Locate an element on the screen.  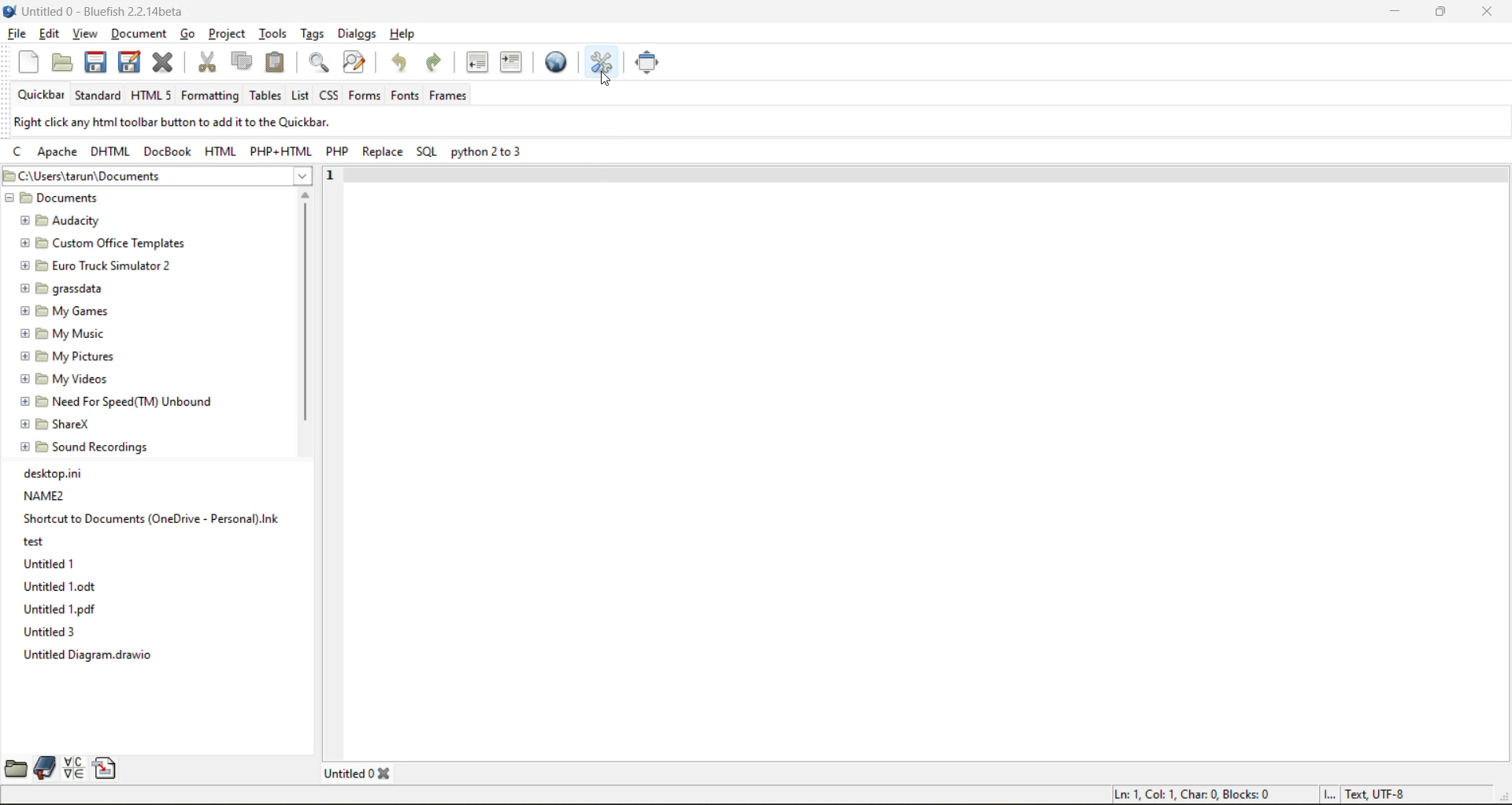
find and replace is located at coordinates (355, 63).